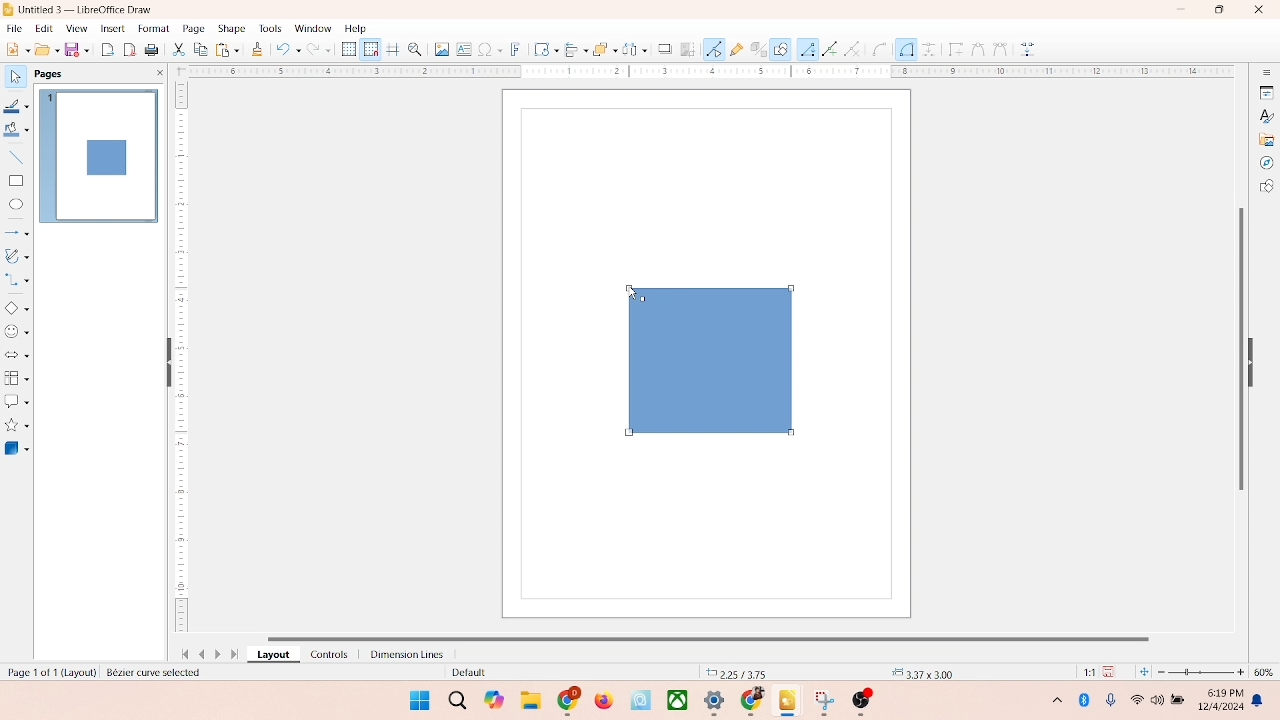 Image resolution: width=1280 pixels, height=720 pixels. Describe the element at coordinates (737, 671) in the screenshot. I see `coordinates` at that location.